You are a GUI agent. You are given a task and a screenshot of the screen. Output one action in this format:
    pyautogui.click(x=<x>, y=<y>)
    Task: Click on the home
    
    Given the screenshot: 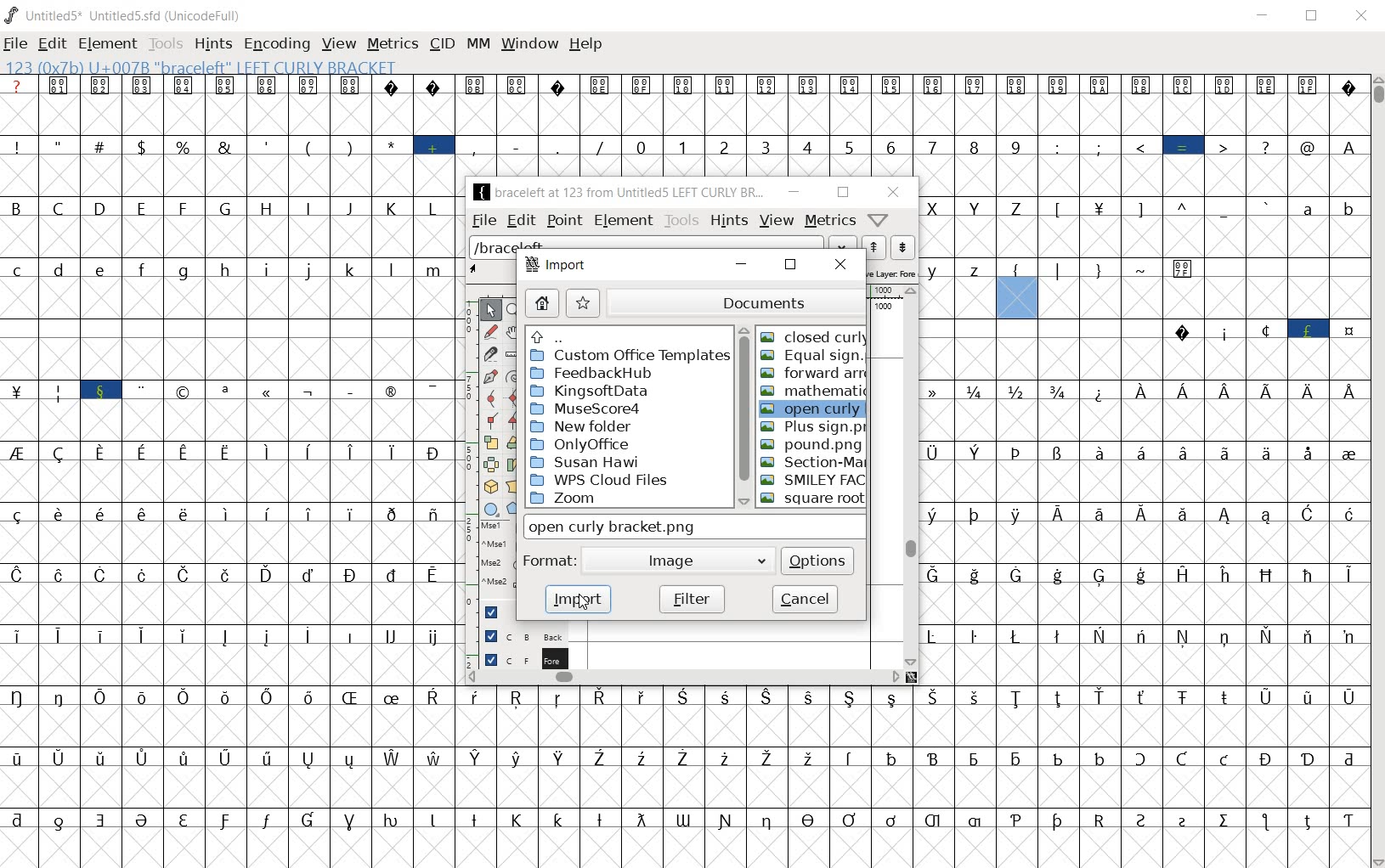 What is the action you would take?
    pyautogui.click(x=541, y=304)
    